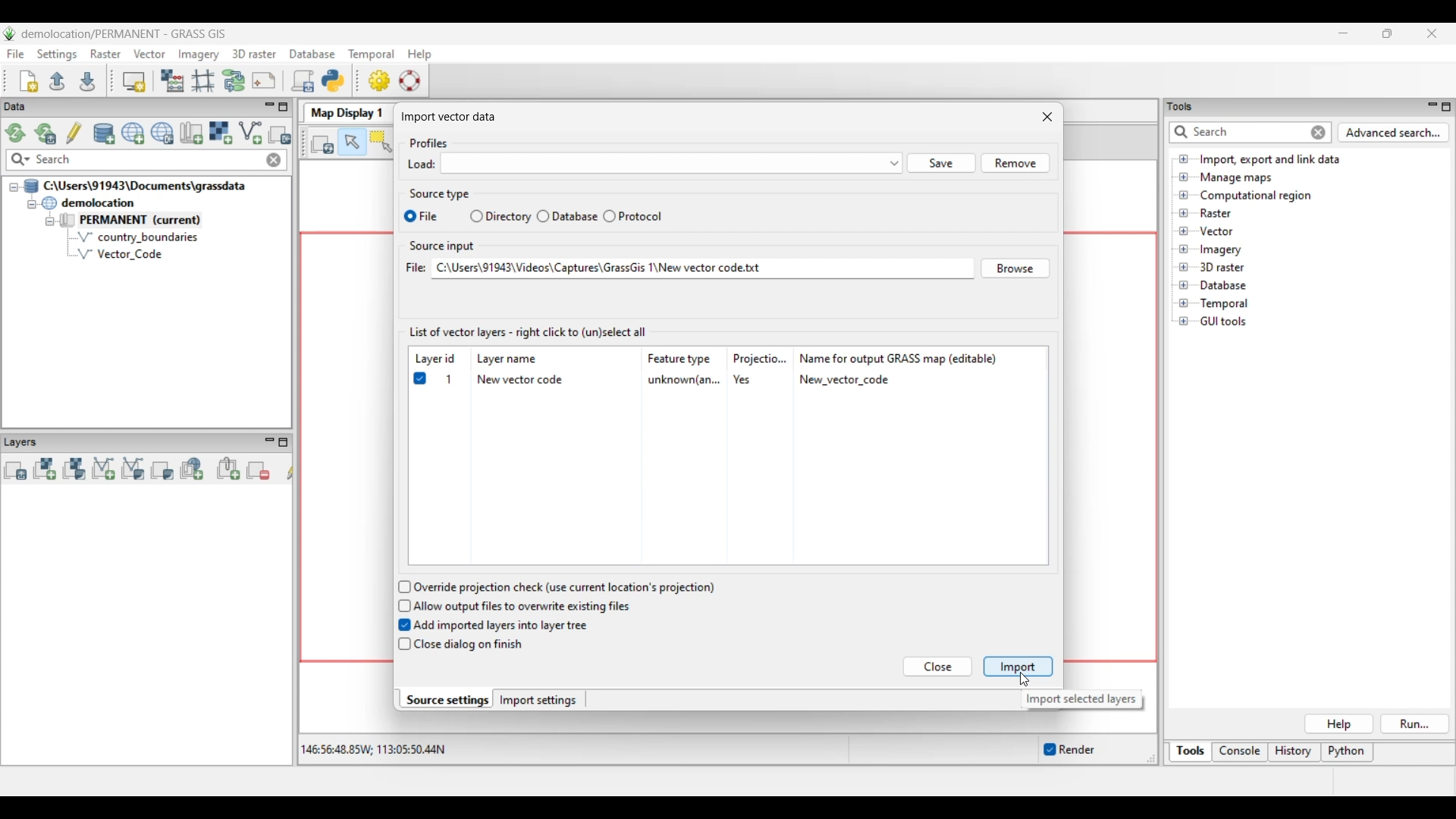 The image size is (1456, 819). What do you see at coordinates (1037, 117) in the screenshot?
I see `close` at bounding box center [1037, 117].